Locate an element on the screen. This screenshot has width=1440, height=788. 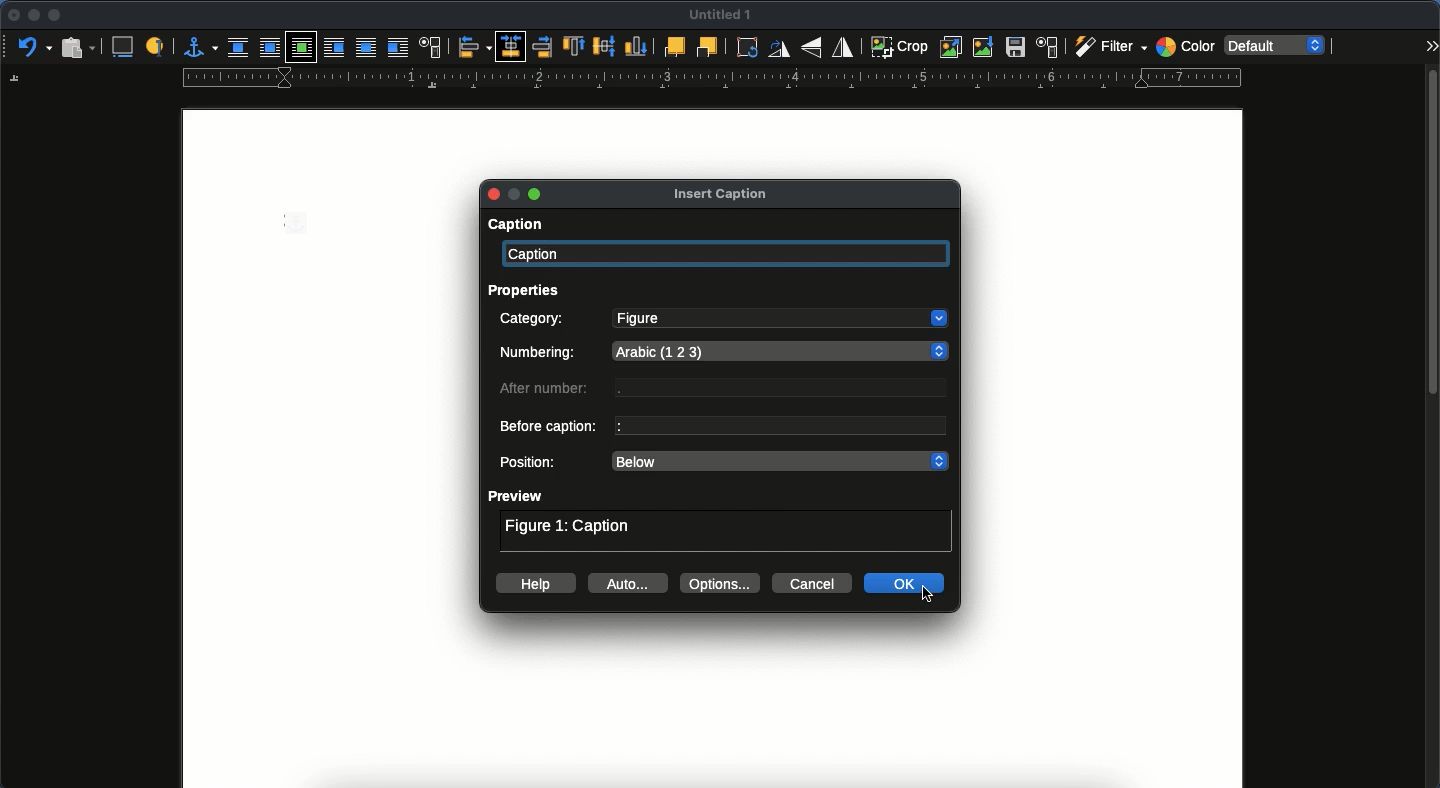
Untiled 1 - name is located at coordinates (723, 14).